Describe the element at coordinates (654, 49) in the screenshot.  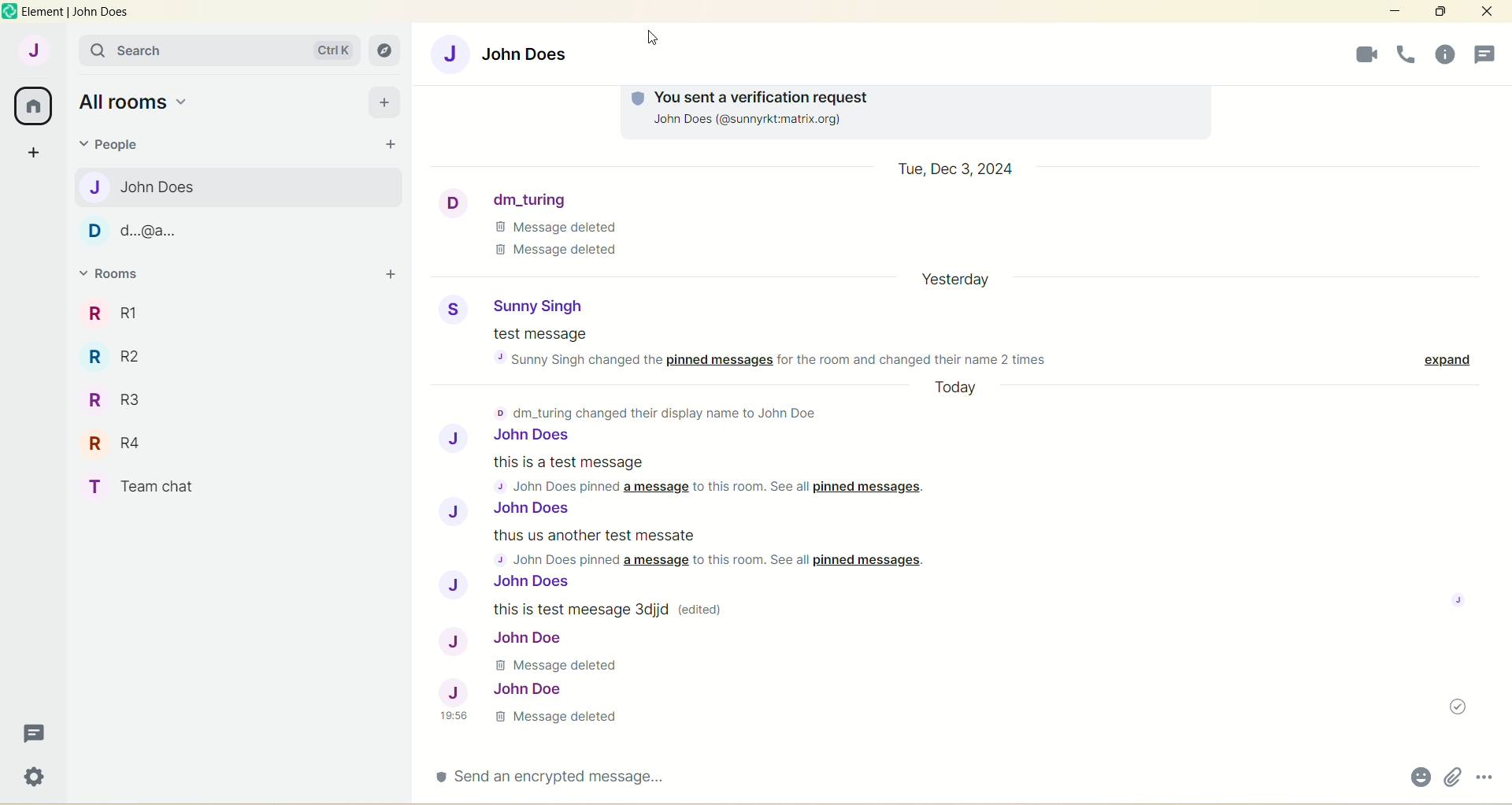
I see `Cursor` at that location.